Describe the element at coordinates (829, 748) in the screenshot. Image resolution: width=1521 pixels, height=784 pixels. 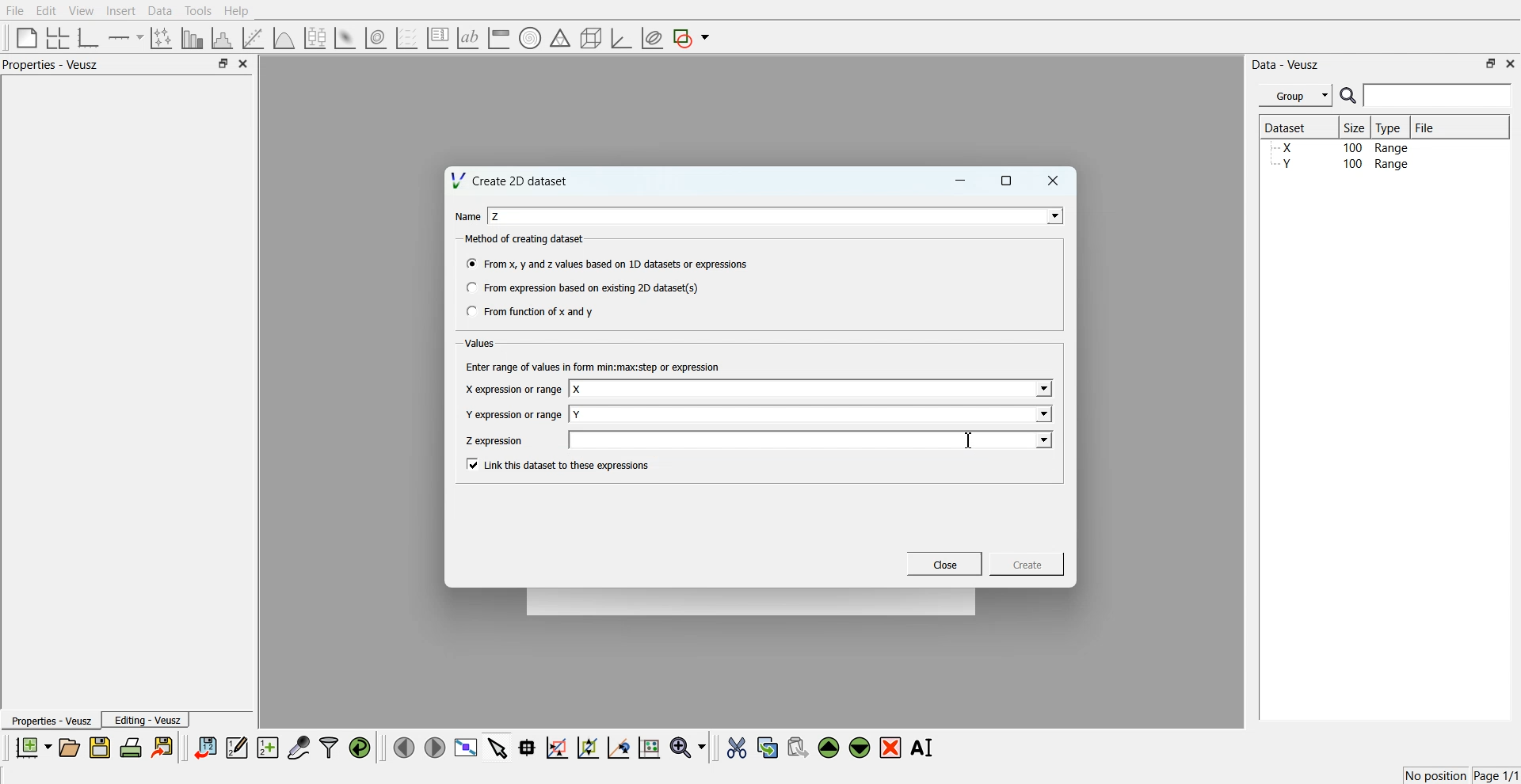
I see `Move up the selected widget` at that location.